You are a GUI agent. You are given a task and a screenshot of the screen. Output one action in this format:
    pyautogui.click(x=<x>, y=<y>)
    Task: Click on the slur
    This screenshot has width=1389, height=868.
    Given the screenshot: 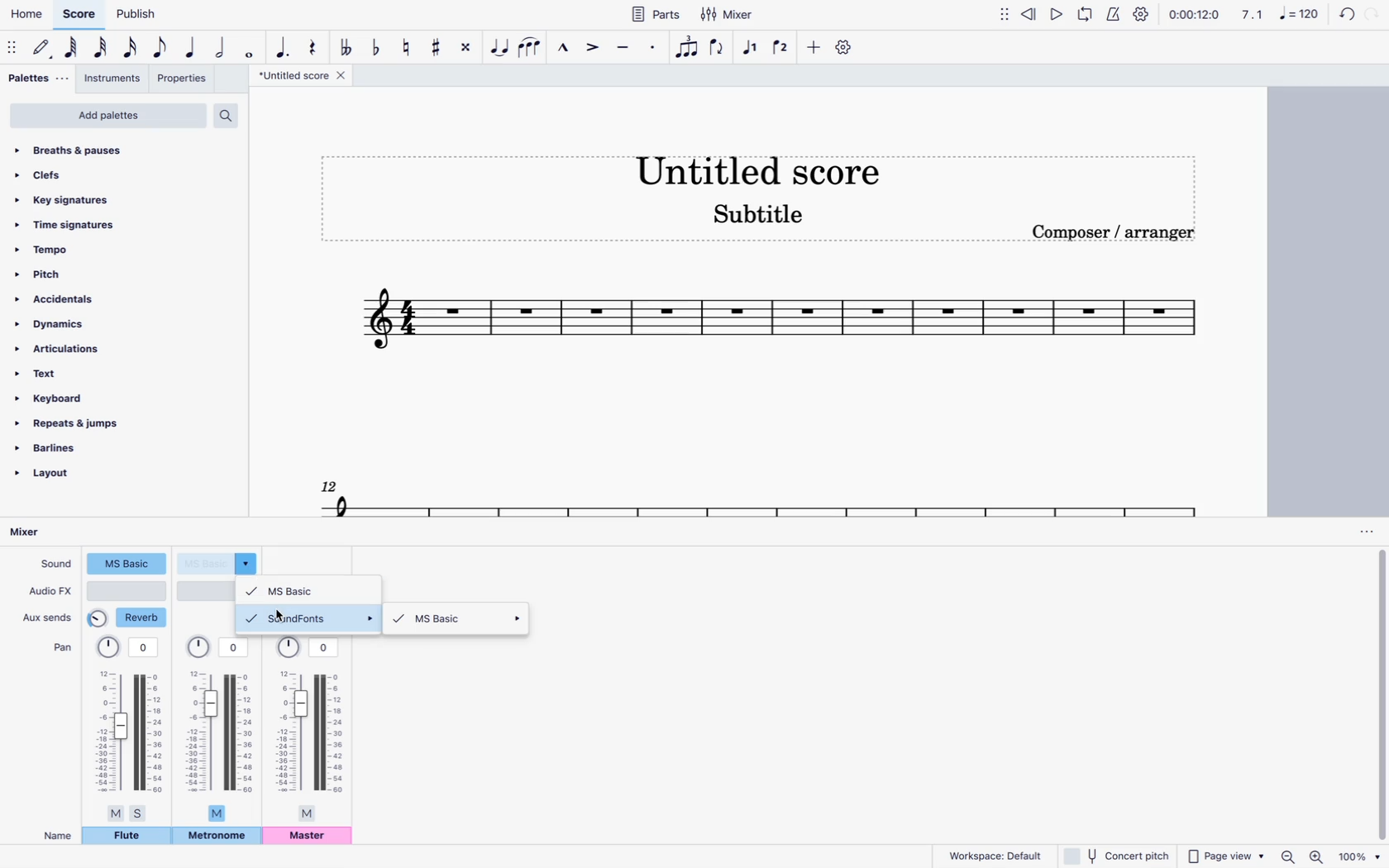 What is the action you would take?
    pyautogui.click(x=534, y=48)
    